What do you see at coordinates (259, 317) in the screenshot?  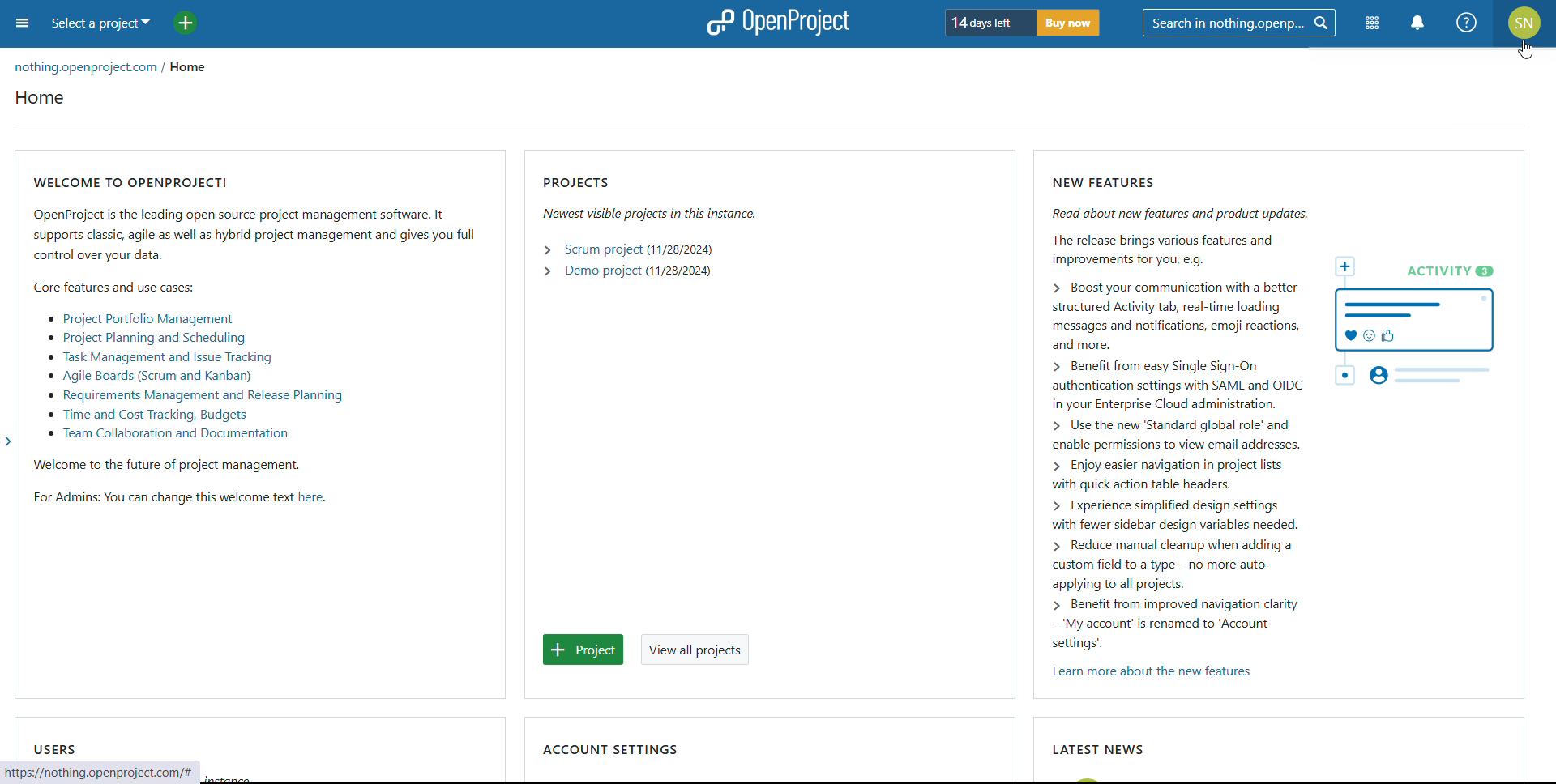 I see `WELCOME TO OPENPROJECT!
OpenProject is the leading open source project management software. It
supports classic, agile as well as hybrid project management and gives you full
control over your data.
Core features and use cases:
« Project Portfolio Management
« Project Planning and Scheduling
© Task Management and Issue Tracking
« Agile Boards (Scrum and Kanban)
« Requirements Management and Release Planning
« Time and Cost Tracking, Budgets
, * Team Collaboration and Documentation
Welcome to the future of project management.` at bounding box center [259, 317].